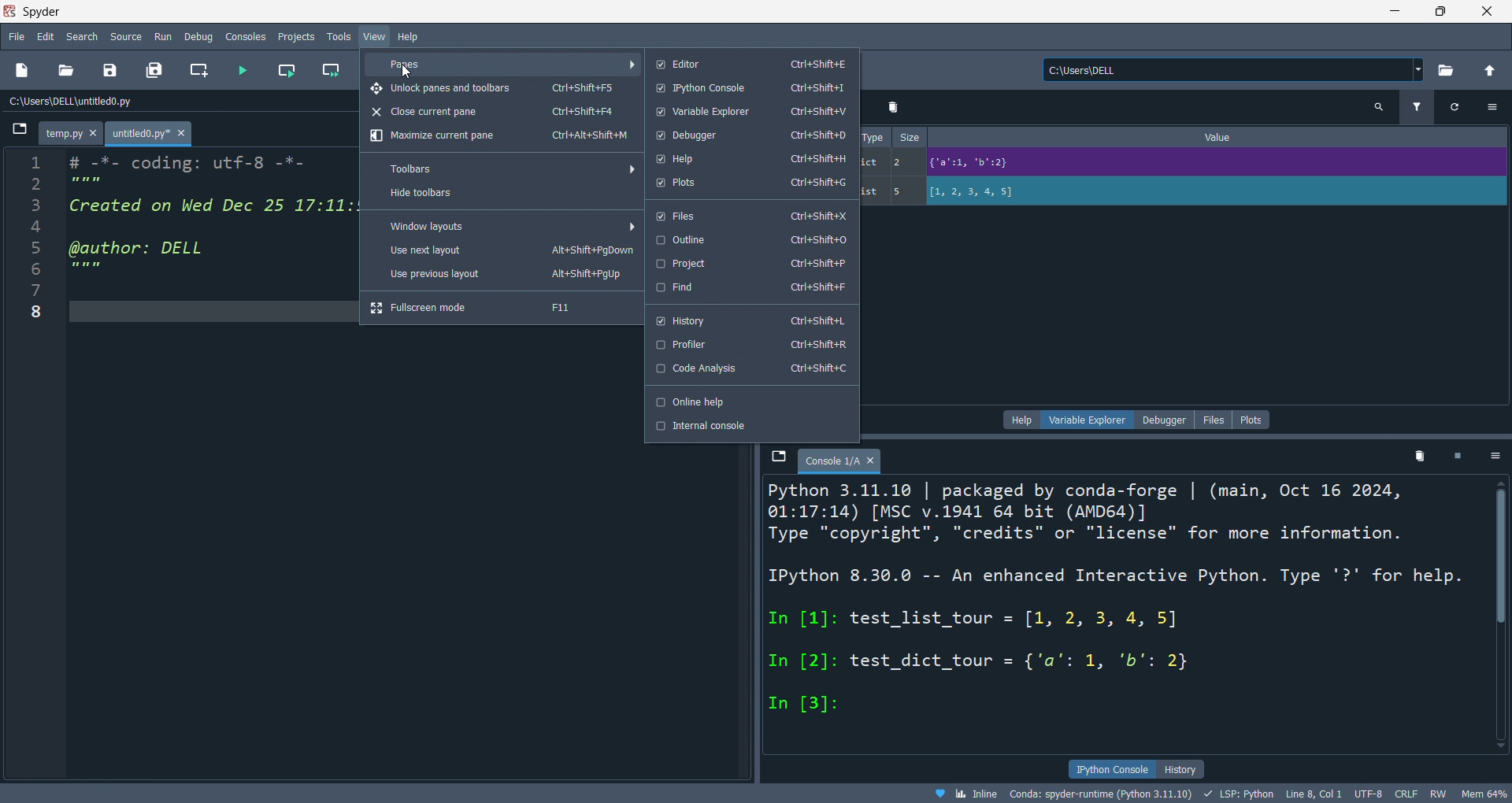 The image size is (1512, 803). Describe the element at coordinates (151, 135) in the screenshot. I see `untitled` at that location.